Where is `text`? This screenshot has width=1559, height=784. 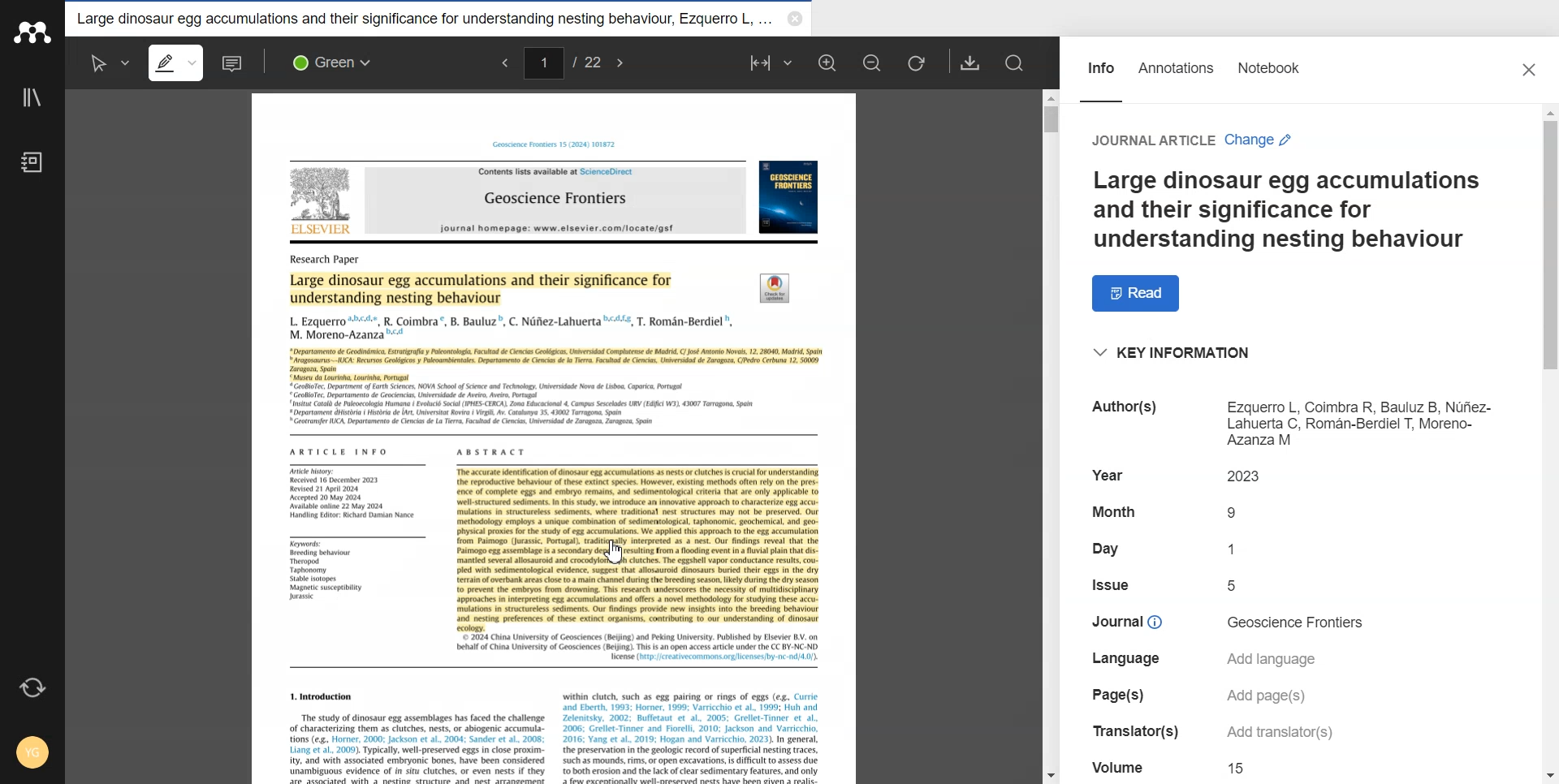 text is located at coordinates (1239, 769).